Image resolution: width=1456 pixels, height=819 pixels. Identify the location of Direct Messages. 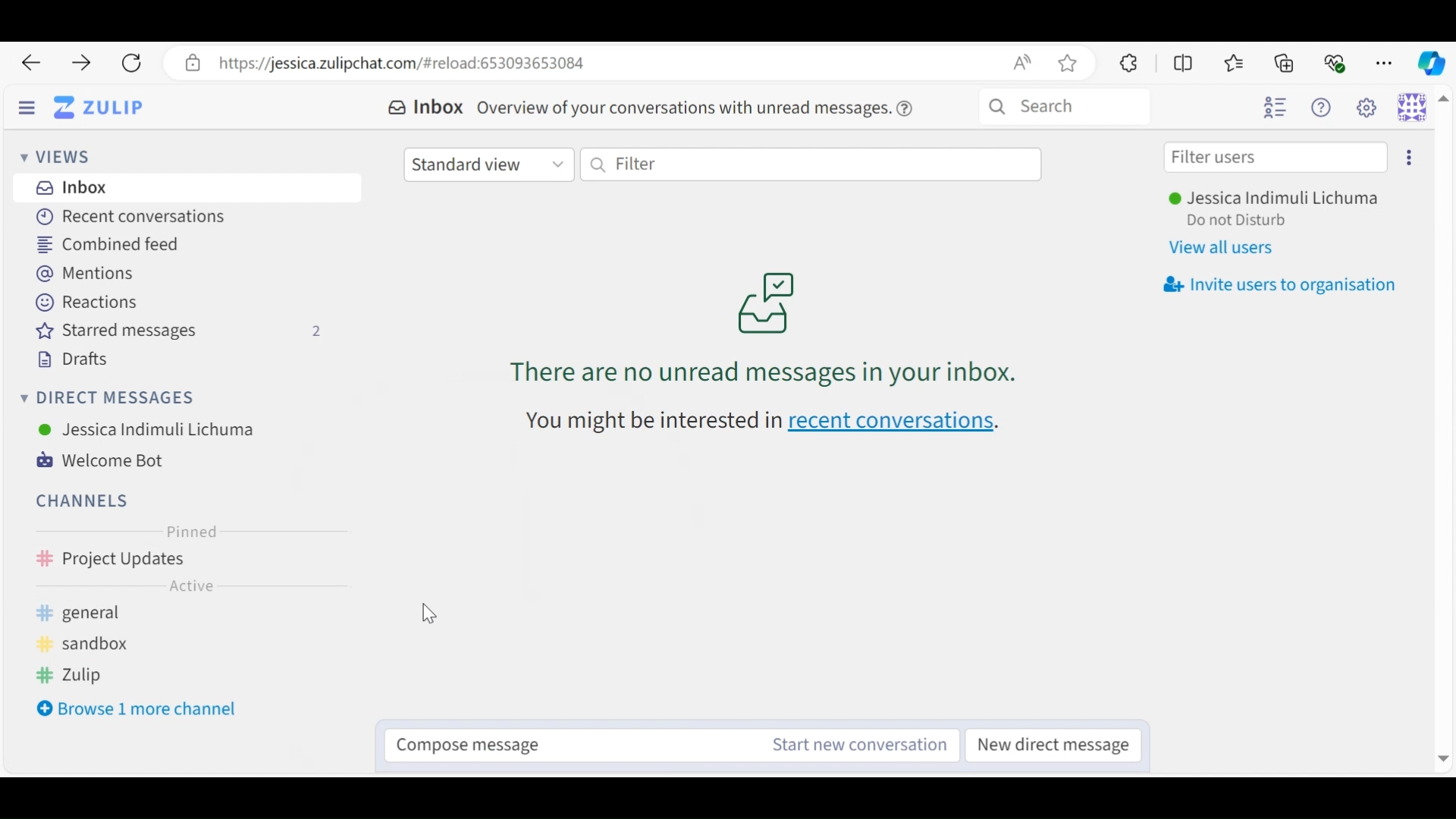
(111, 398).